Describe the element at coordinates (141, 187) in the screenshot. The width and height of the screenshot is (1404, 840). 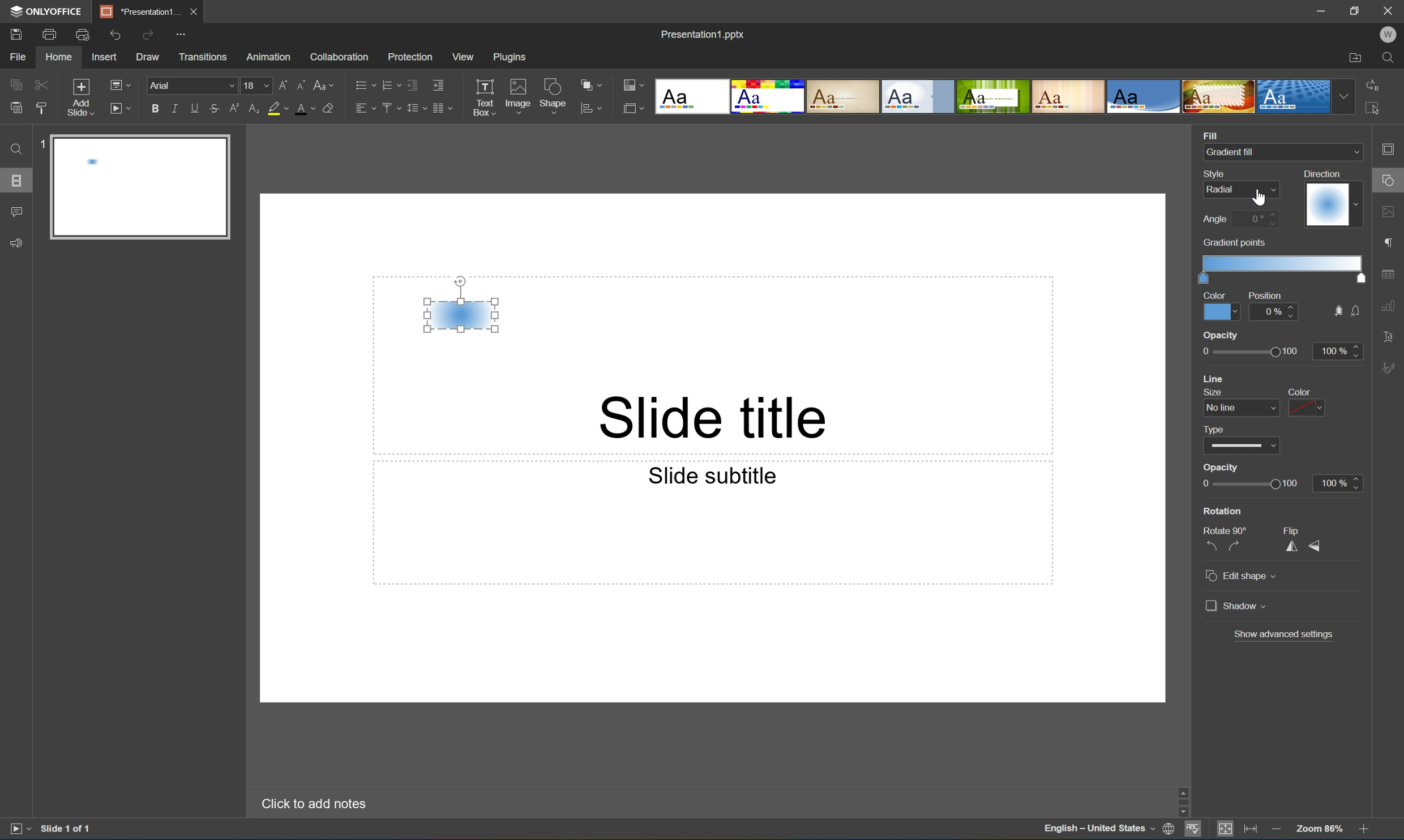
I see `Slide` at that location.